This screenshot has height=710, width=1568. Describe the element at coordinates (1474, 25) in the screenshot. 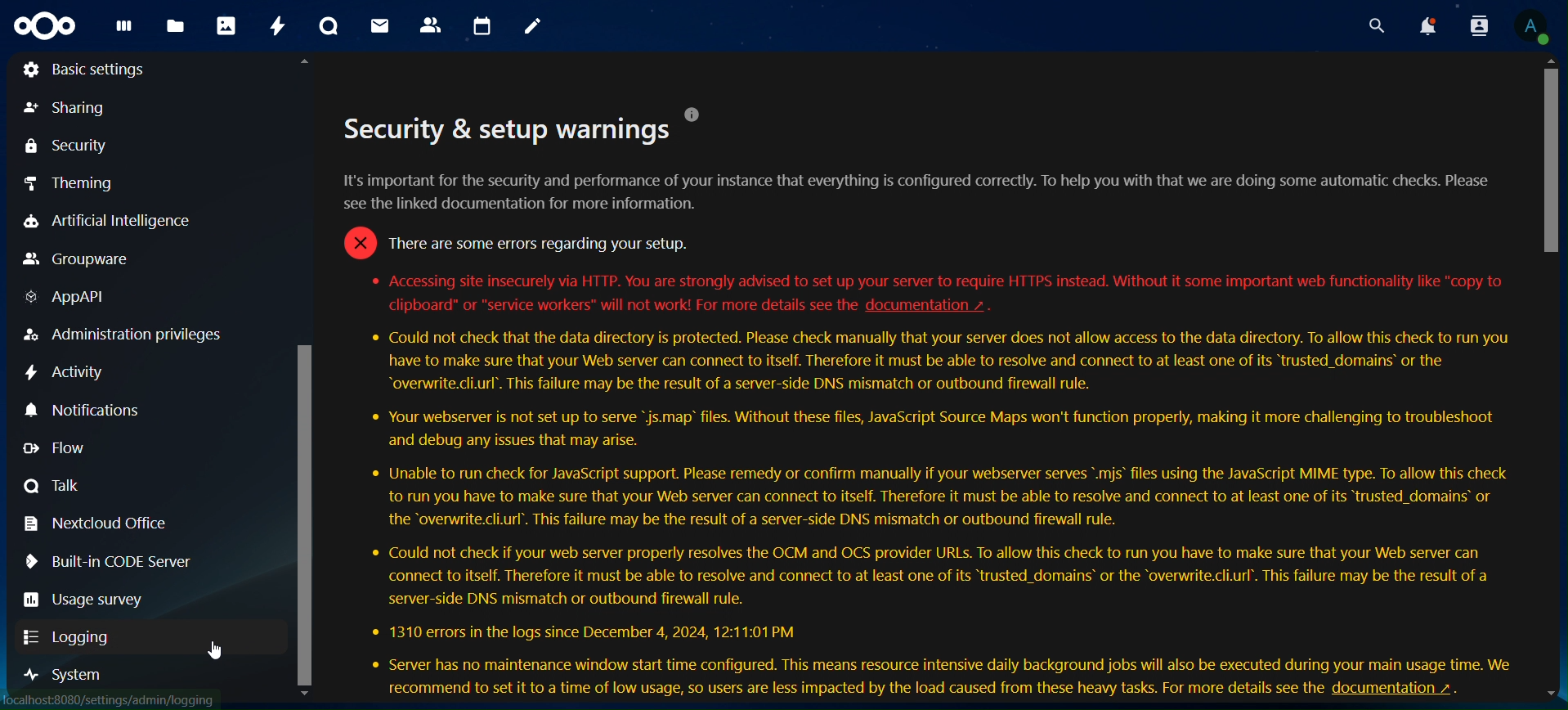

I see `search contacts` at that location.